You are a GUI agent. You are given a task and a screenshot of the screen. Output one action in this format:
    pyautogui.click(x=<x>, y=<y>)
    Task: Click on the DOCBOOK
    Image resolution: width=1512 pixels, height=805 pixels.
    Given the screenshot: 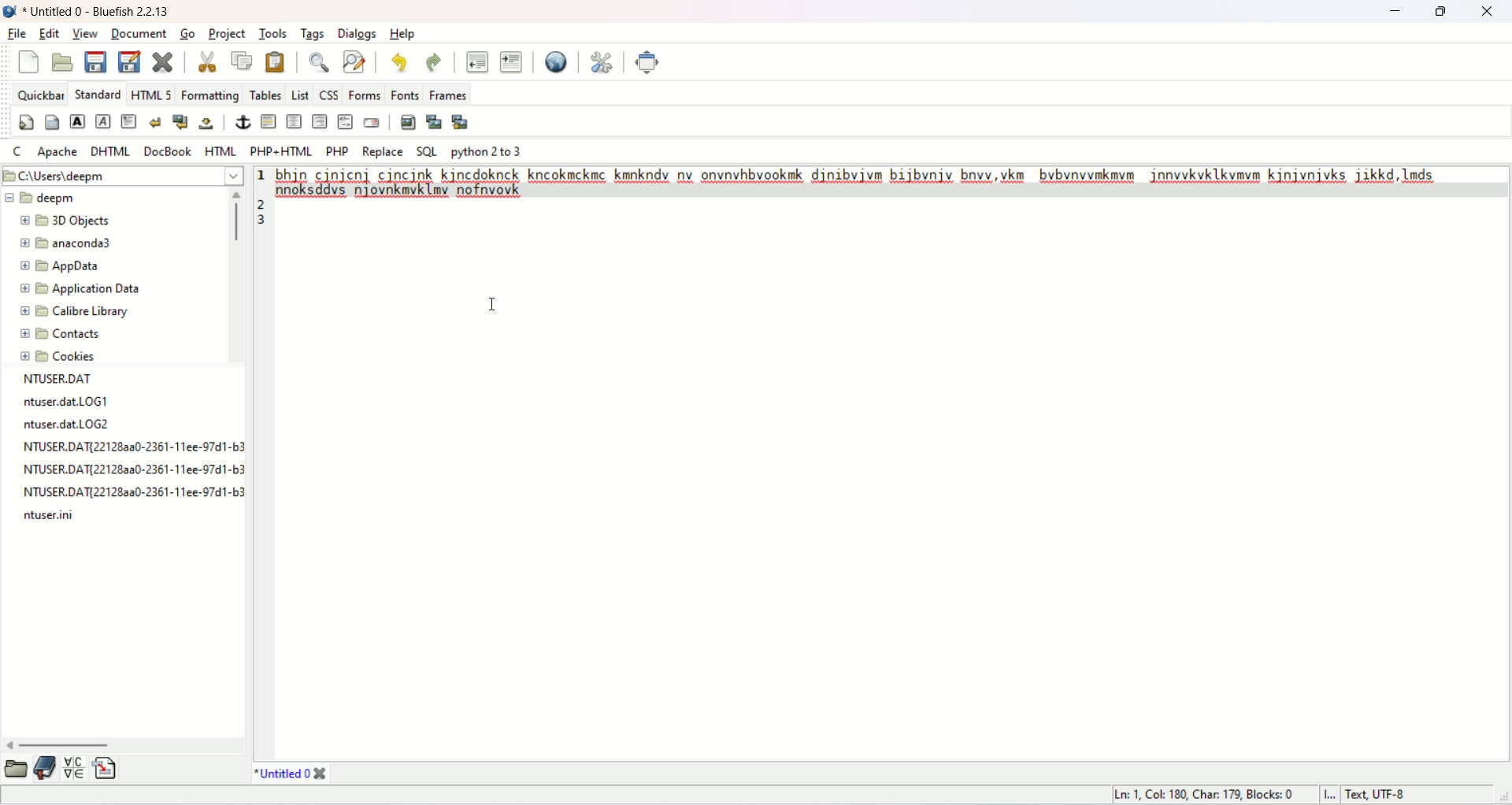 What is the action you would take?
    pyautogui.click(x=169, y=150)
    